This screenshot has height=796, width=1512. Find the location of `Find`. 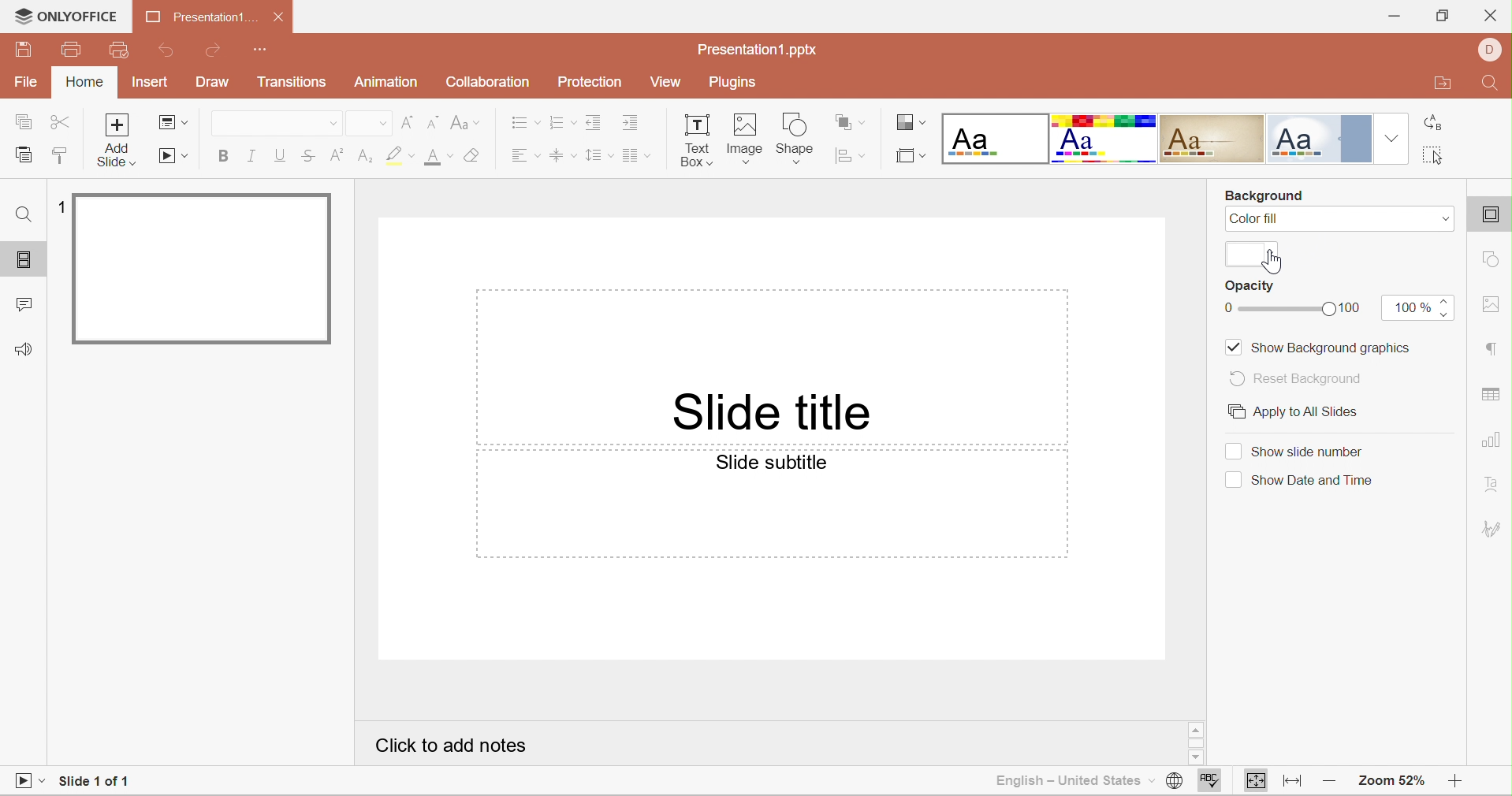

Find is located at coordinates (1493, 85).